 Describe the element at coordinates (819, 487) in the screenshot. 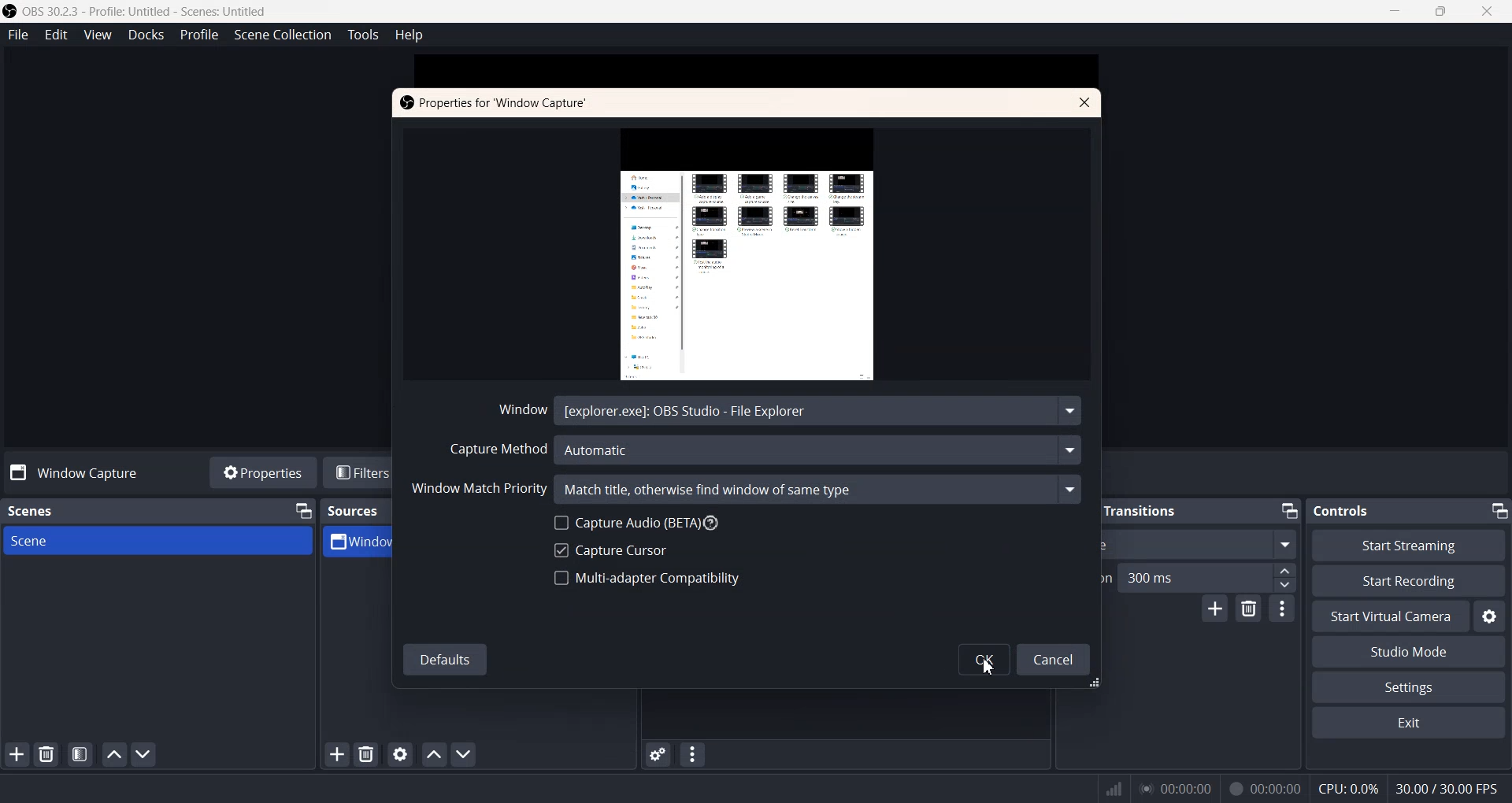

I see `Match title, otherwise find window of same type` at that location.